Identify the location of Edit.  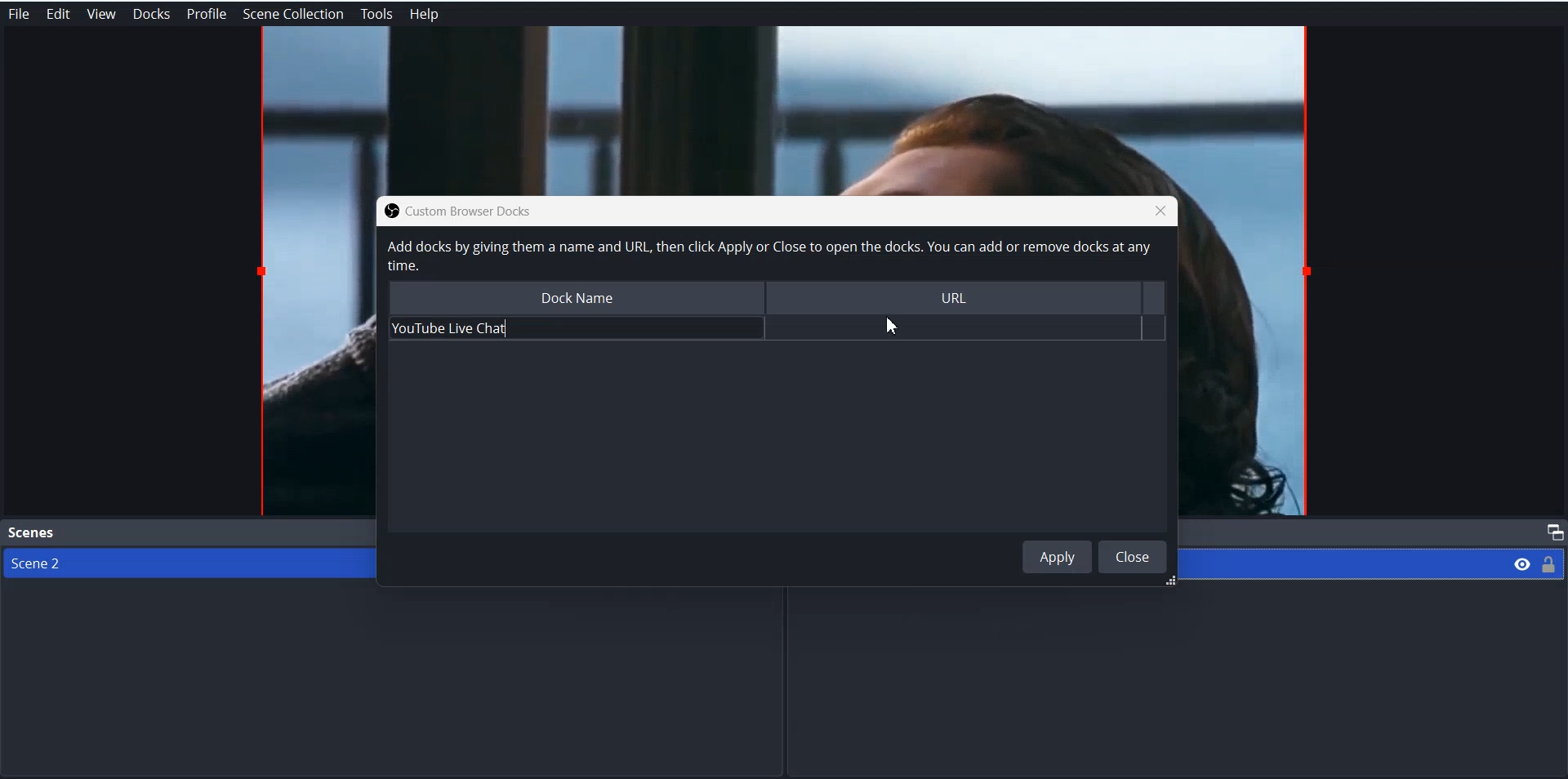
(57, 14).